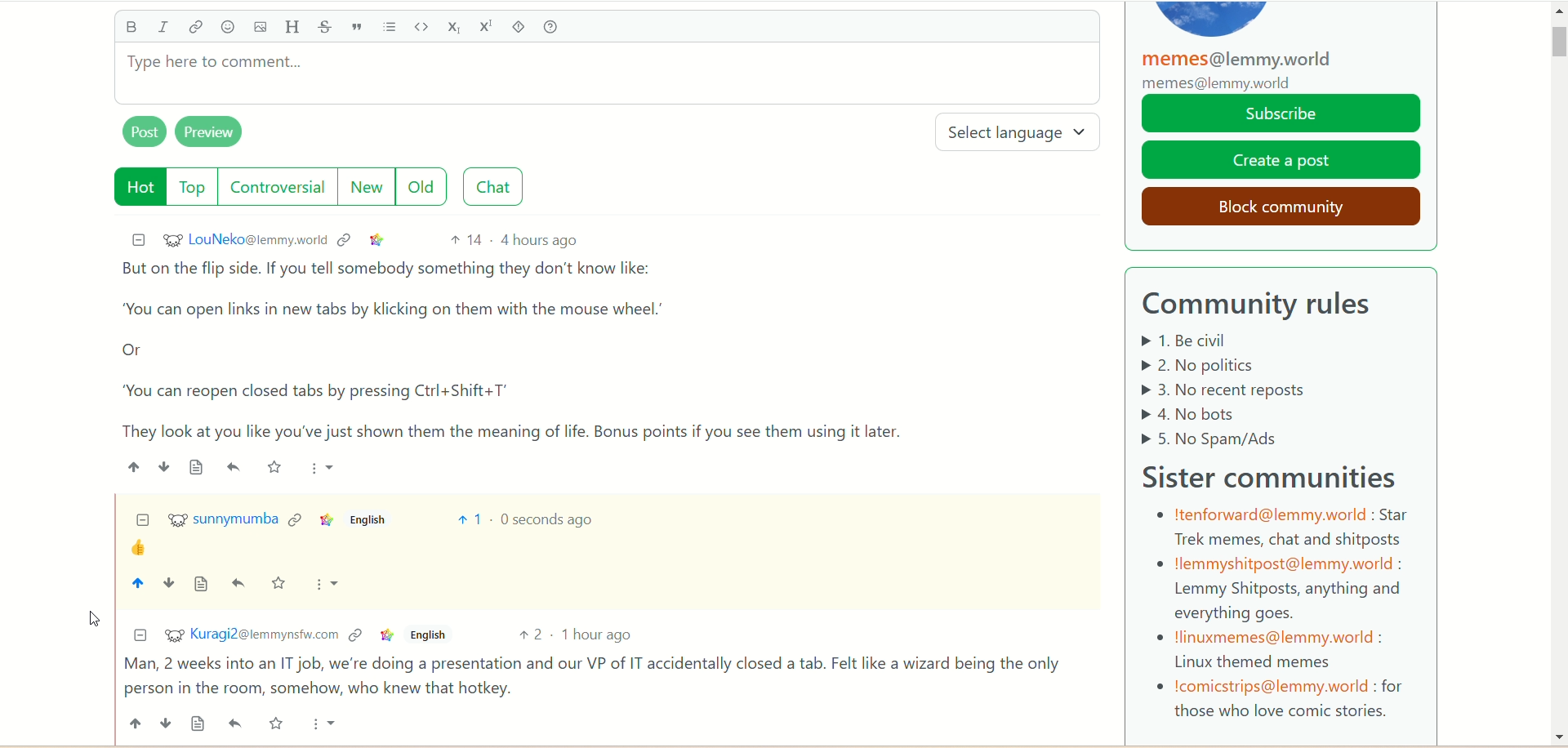  Describe the element at coordinates (275, 467) in the screenshot. I see `save` at that location.